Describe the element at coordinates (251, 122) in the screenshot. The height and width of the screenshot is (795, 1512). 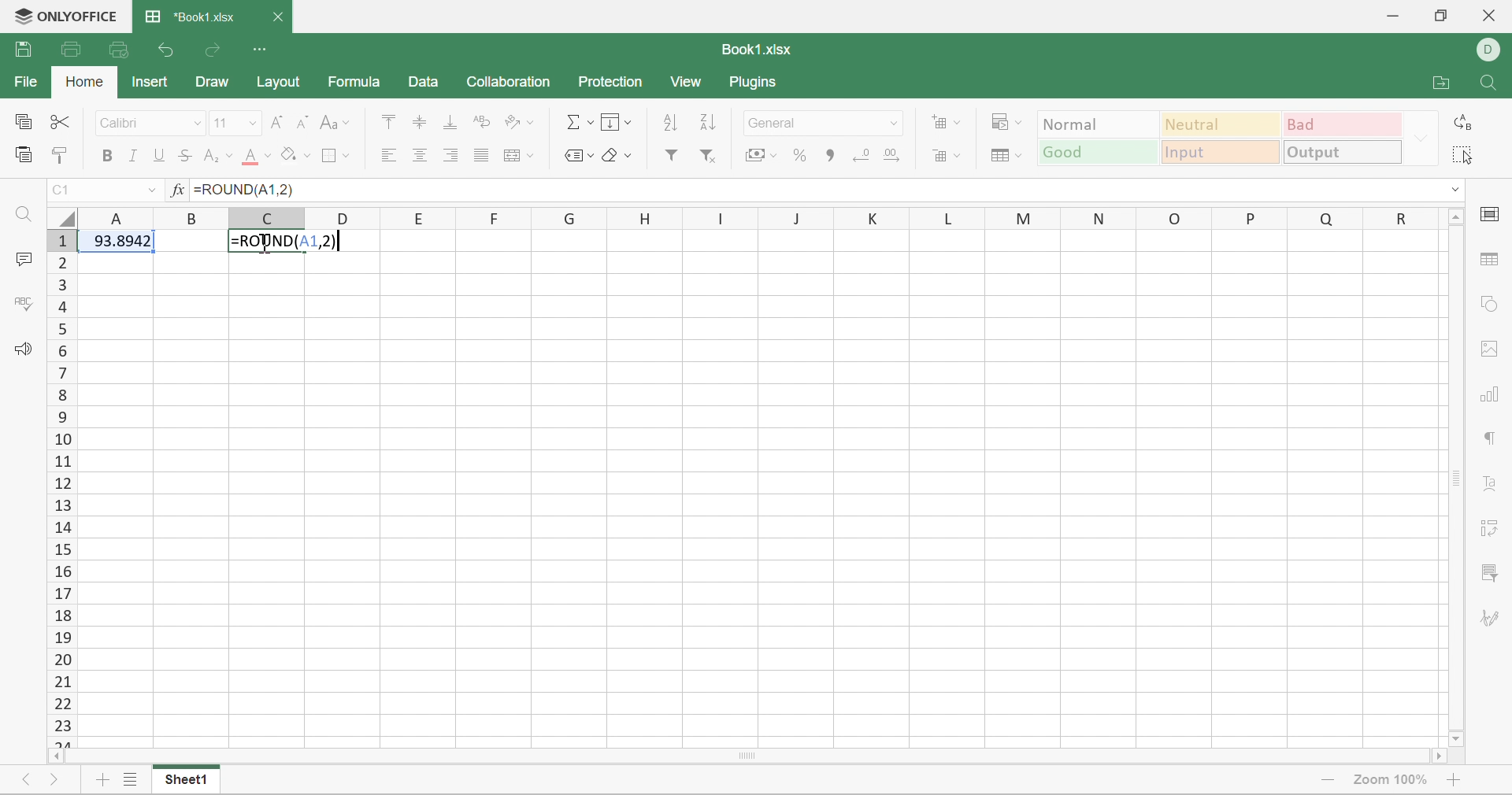
I see `Drop Down` at that location.